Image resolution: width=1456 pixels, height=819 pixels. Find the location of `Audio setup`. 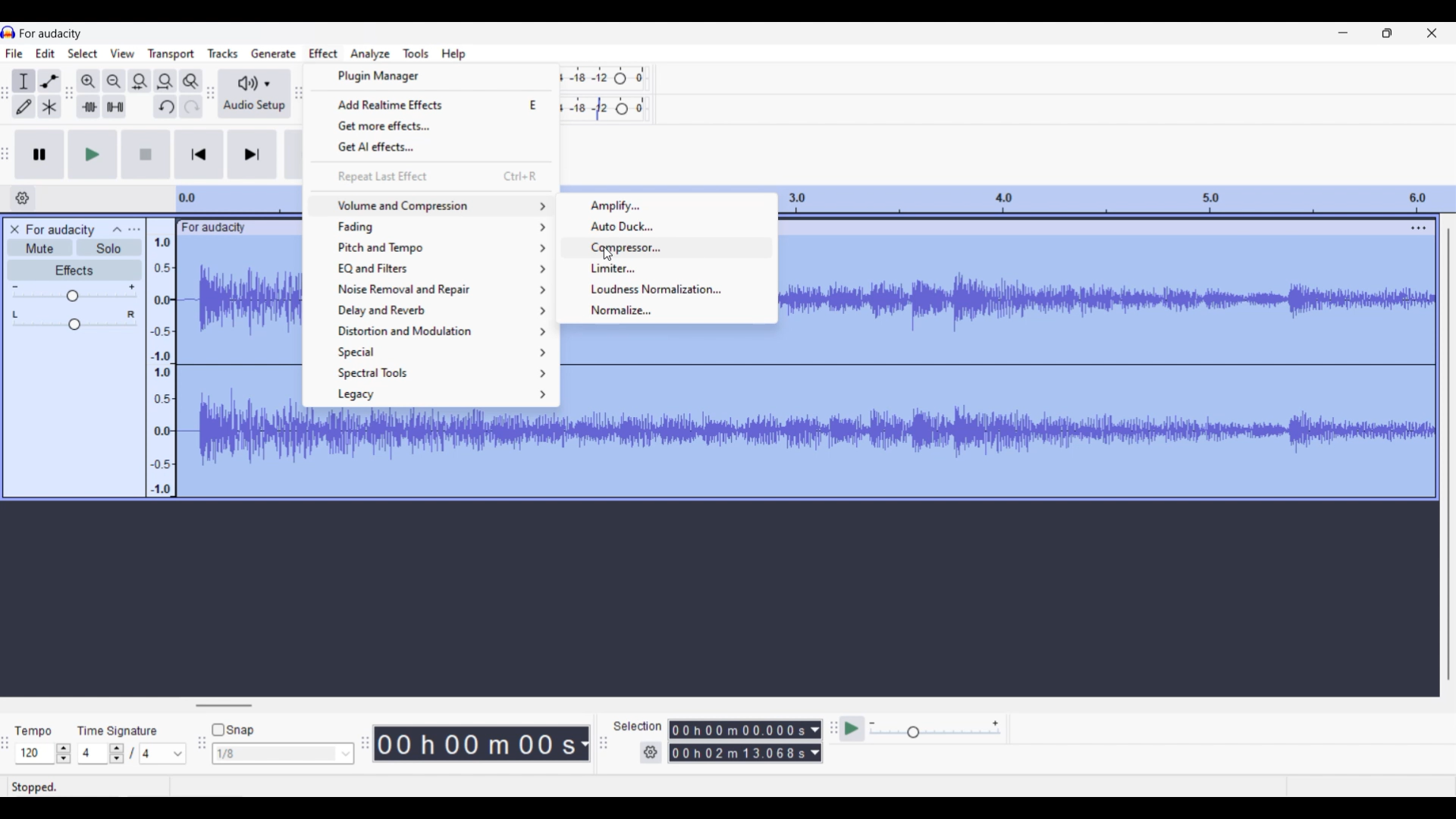

Audio setup is located at coordinates (253, 93).